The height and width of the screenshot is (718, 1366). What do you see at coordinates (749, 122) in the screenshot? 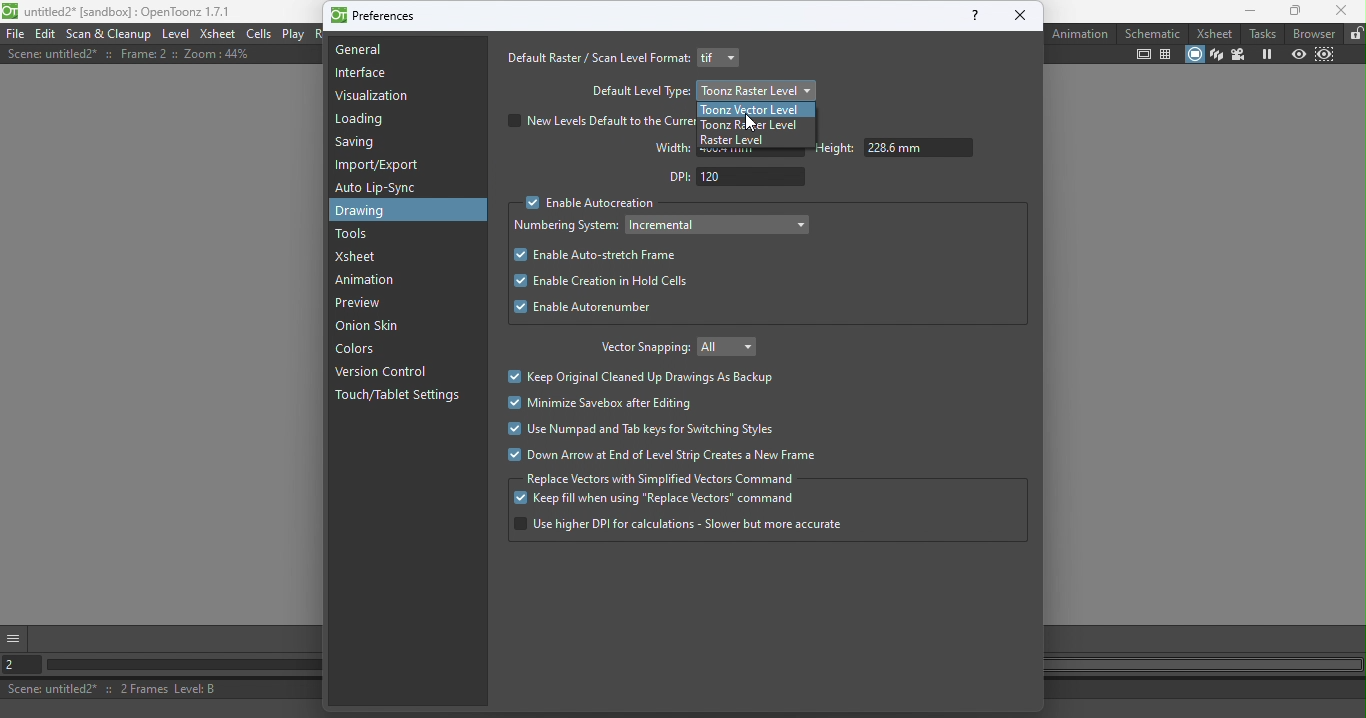
I see `Cursor` at bounding box center [749, 122].